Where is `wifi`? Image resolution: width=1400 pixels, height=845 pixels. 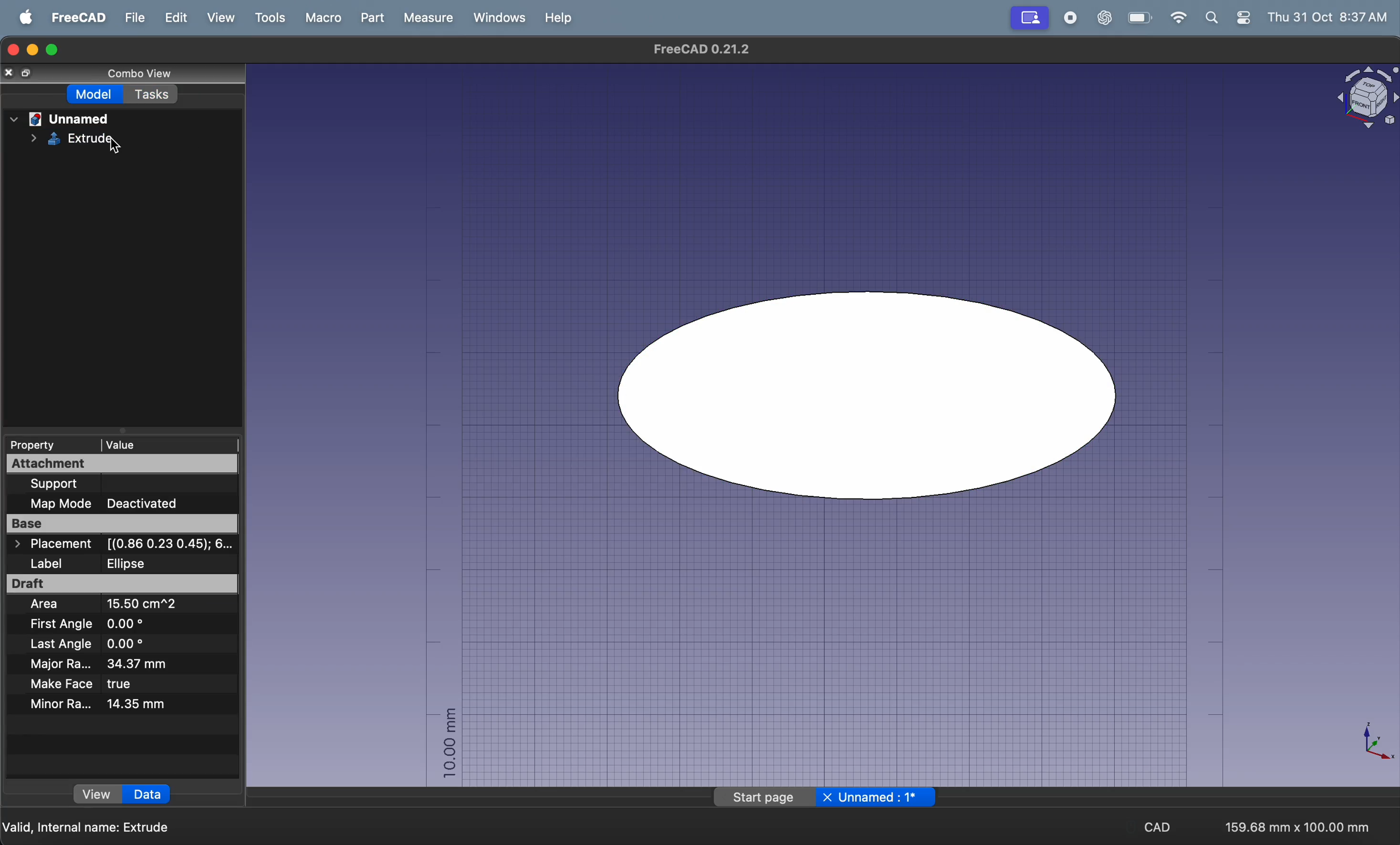 wifi is located at coordinates (1176, 18).